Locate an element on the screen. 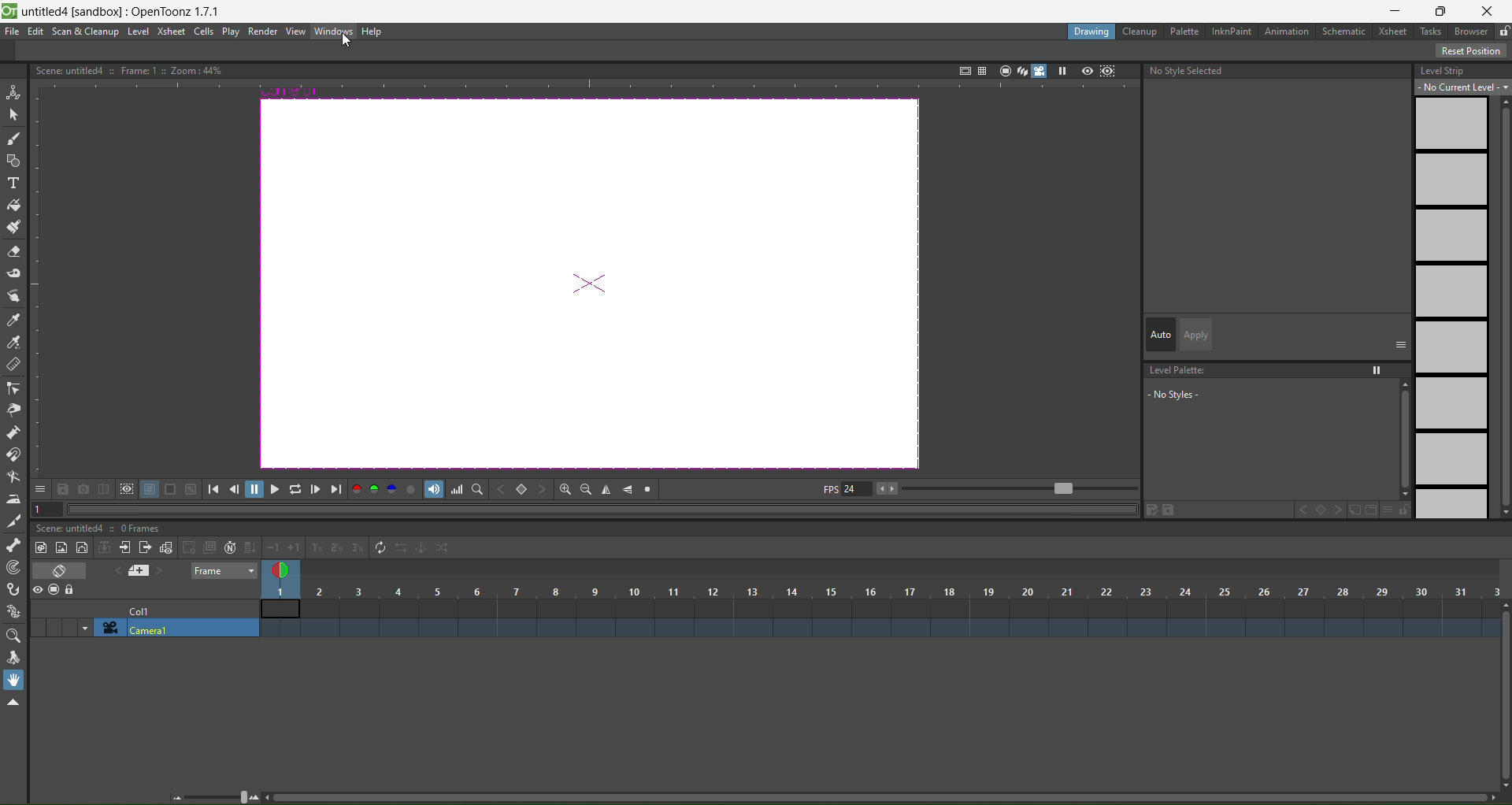  new toonz raster level is located at coordinates (43, 547).